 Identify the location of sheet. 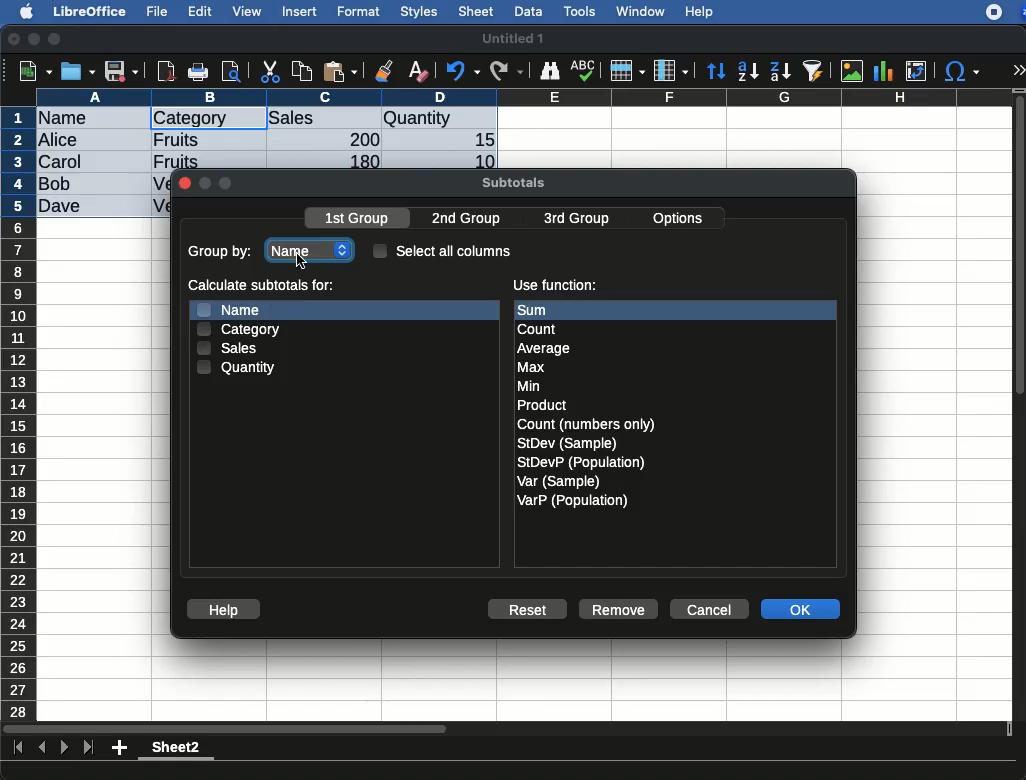
(477, 11).